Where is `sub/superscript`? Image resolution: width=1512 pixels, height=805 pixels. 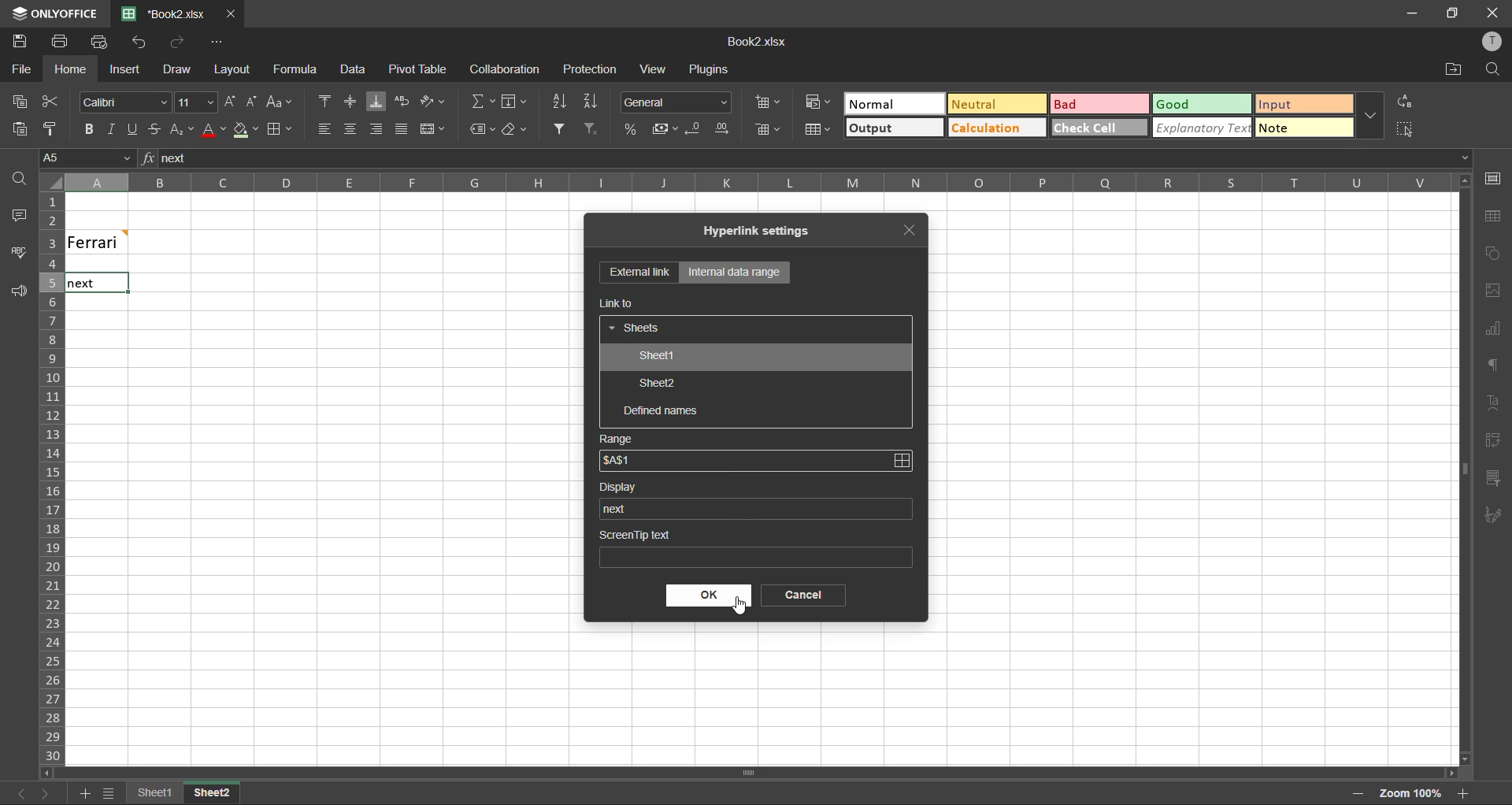 sub/superscript is located at coordinates (182, 127).